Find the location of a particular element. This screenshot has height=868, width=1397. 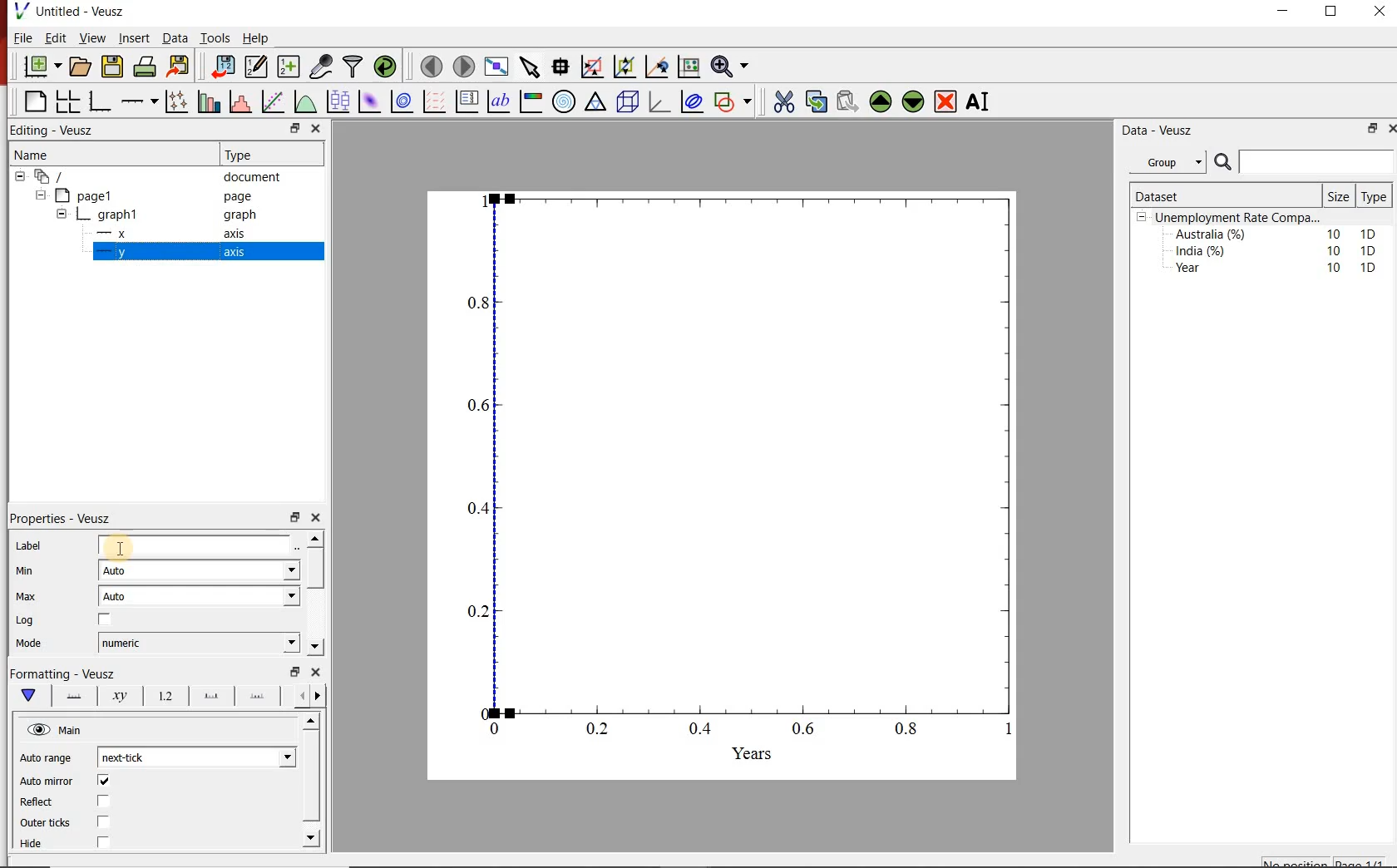

Size is located at coordinates (1340, 196).